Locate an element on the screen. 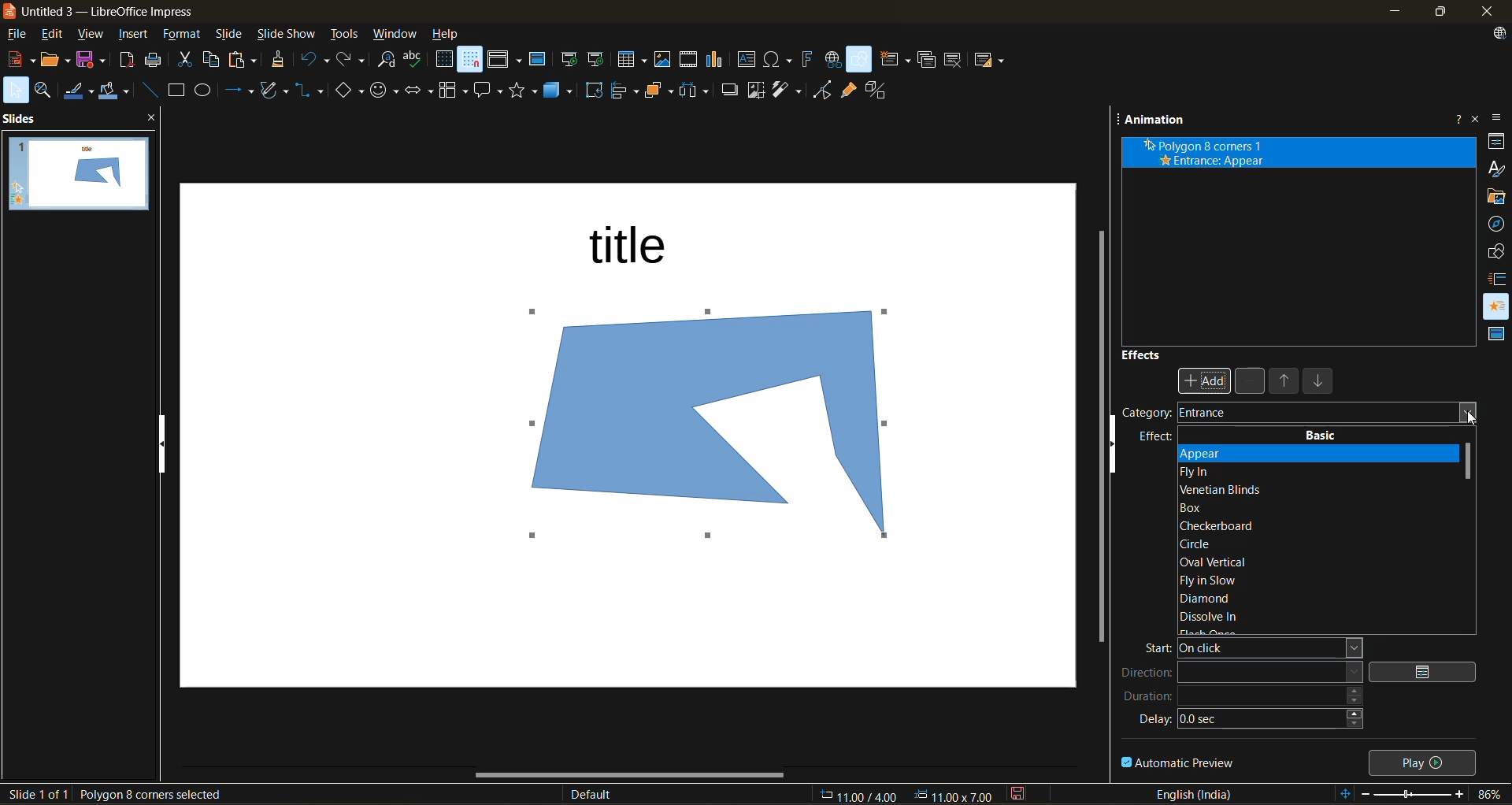 The height and width of the screenshot is (805, 1512). duration is located at coordinates (1248, 695).